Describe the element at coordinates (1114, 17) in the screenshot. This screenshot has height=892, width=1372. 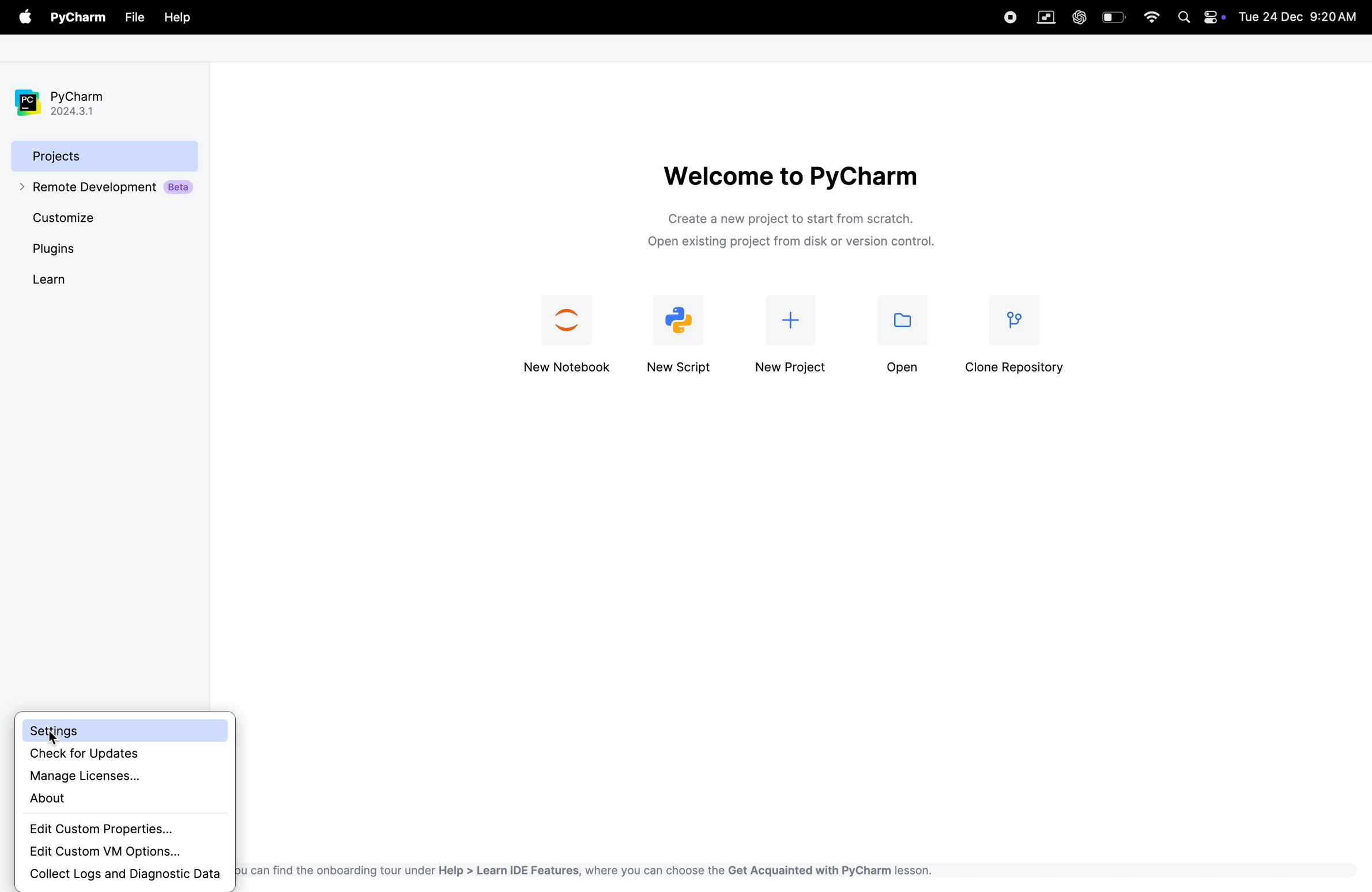
I see `battery` at that location.